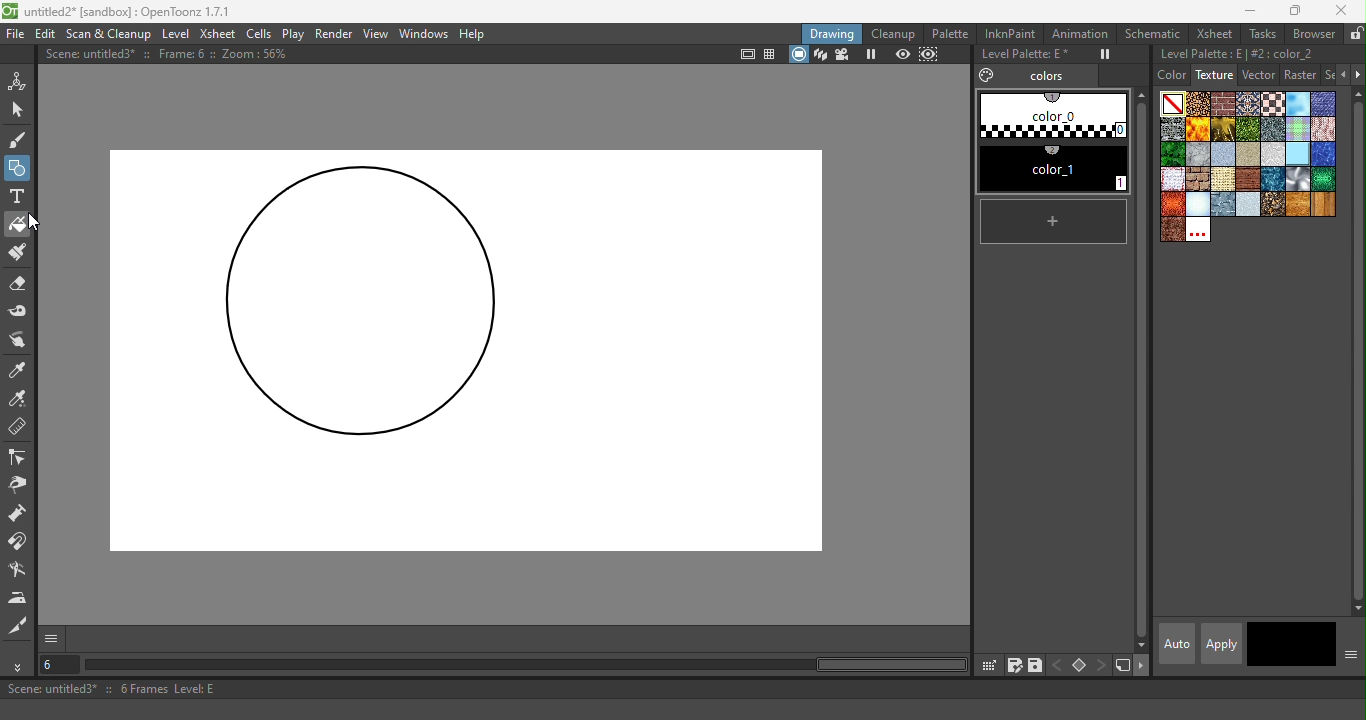 The height and width of the screenshot is (720, 1366). Describe the element at coordinates (1260, 34) in the screenshot. I see `Tasks` at that location.